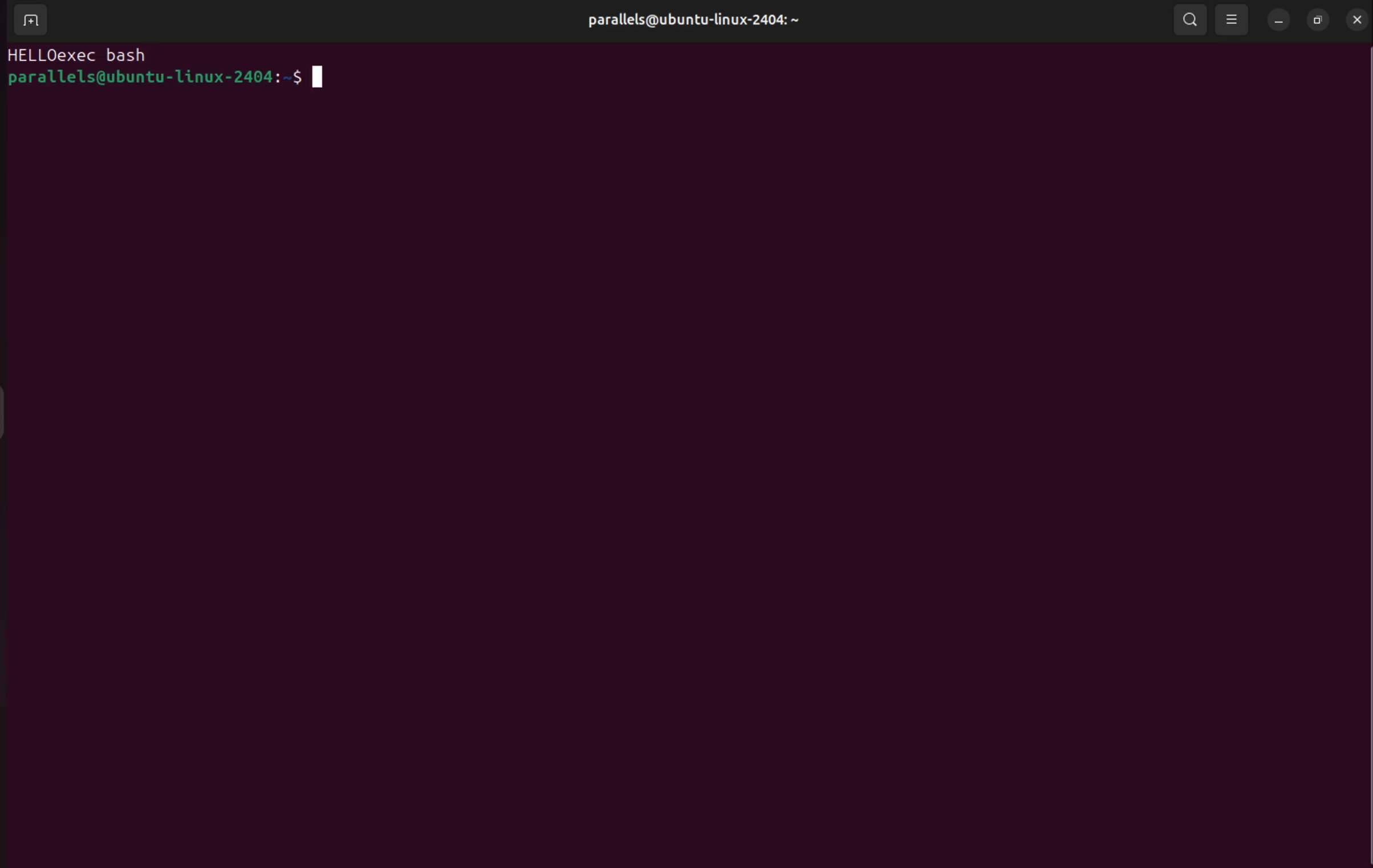  I want to click on add terminal, so click(32, 22).